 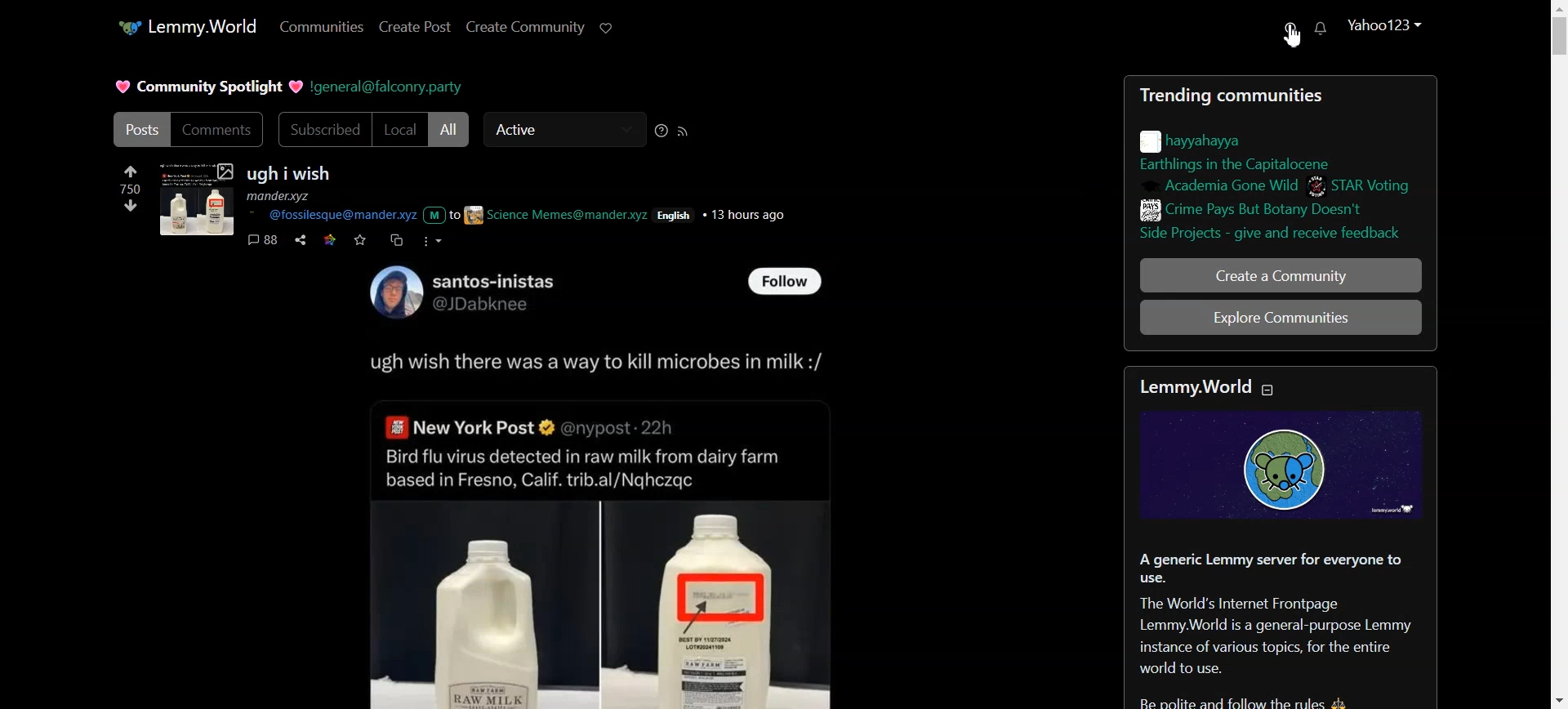 I want to click on Search, so click(x=1292, y=35).